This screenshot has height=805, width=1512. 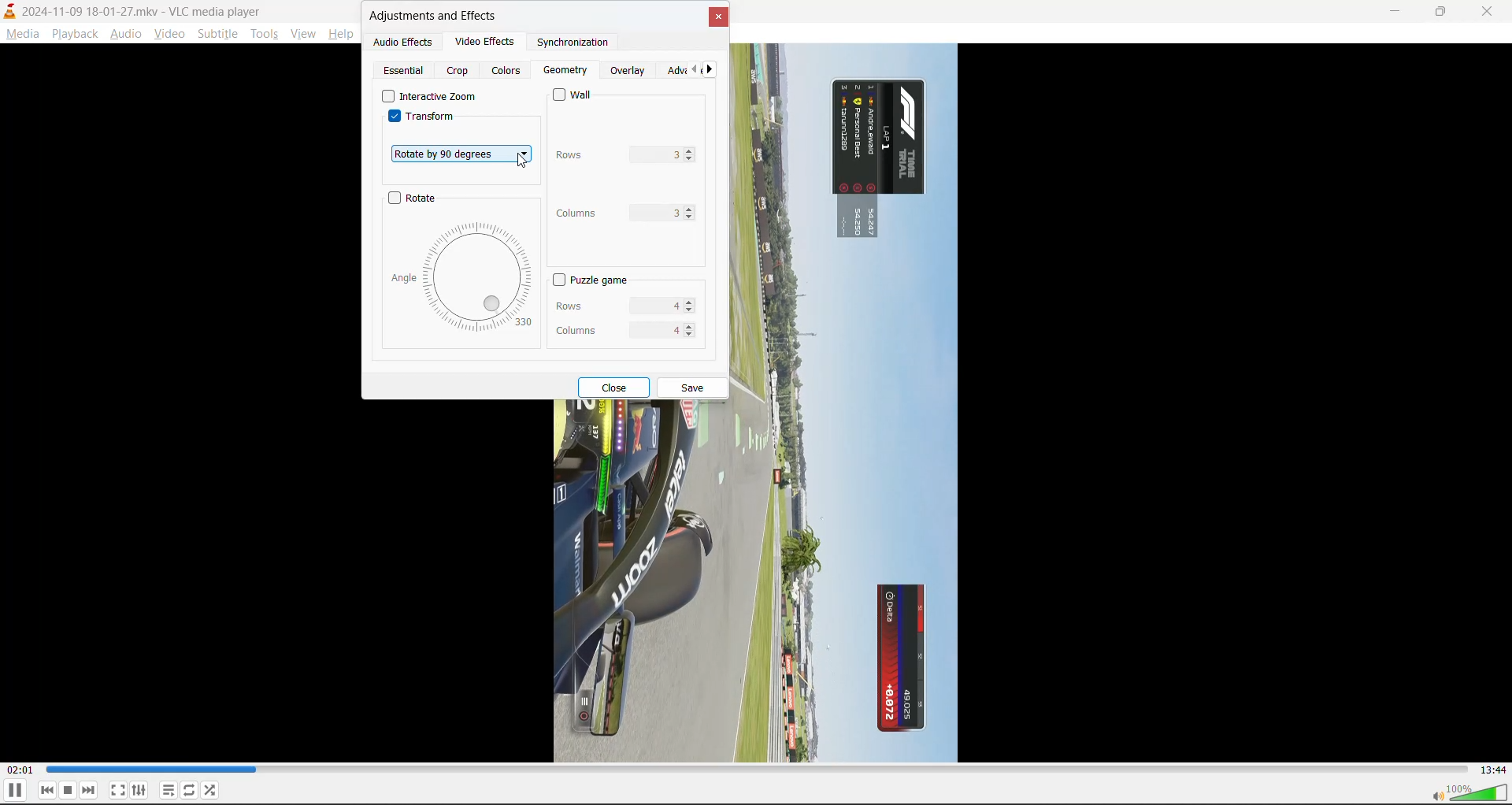 What do you see at coordinates (118, 790) in the screenshot?
I see `fullscreen` at bounding box center [118, 790].